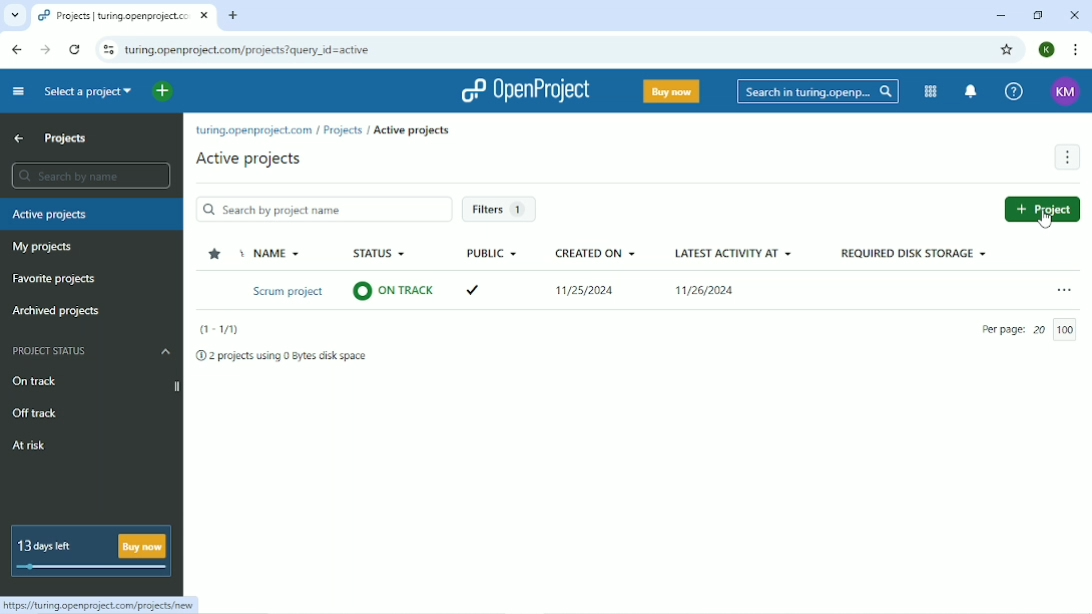 The height and width of the screenshot is (614, 1092). I want to click on K, so click(1048, 50).